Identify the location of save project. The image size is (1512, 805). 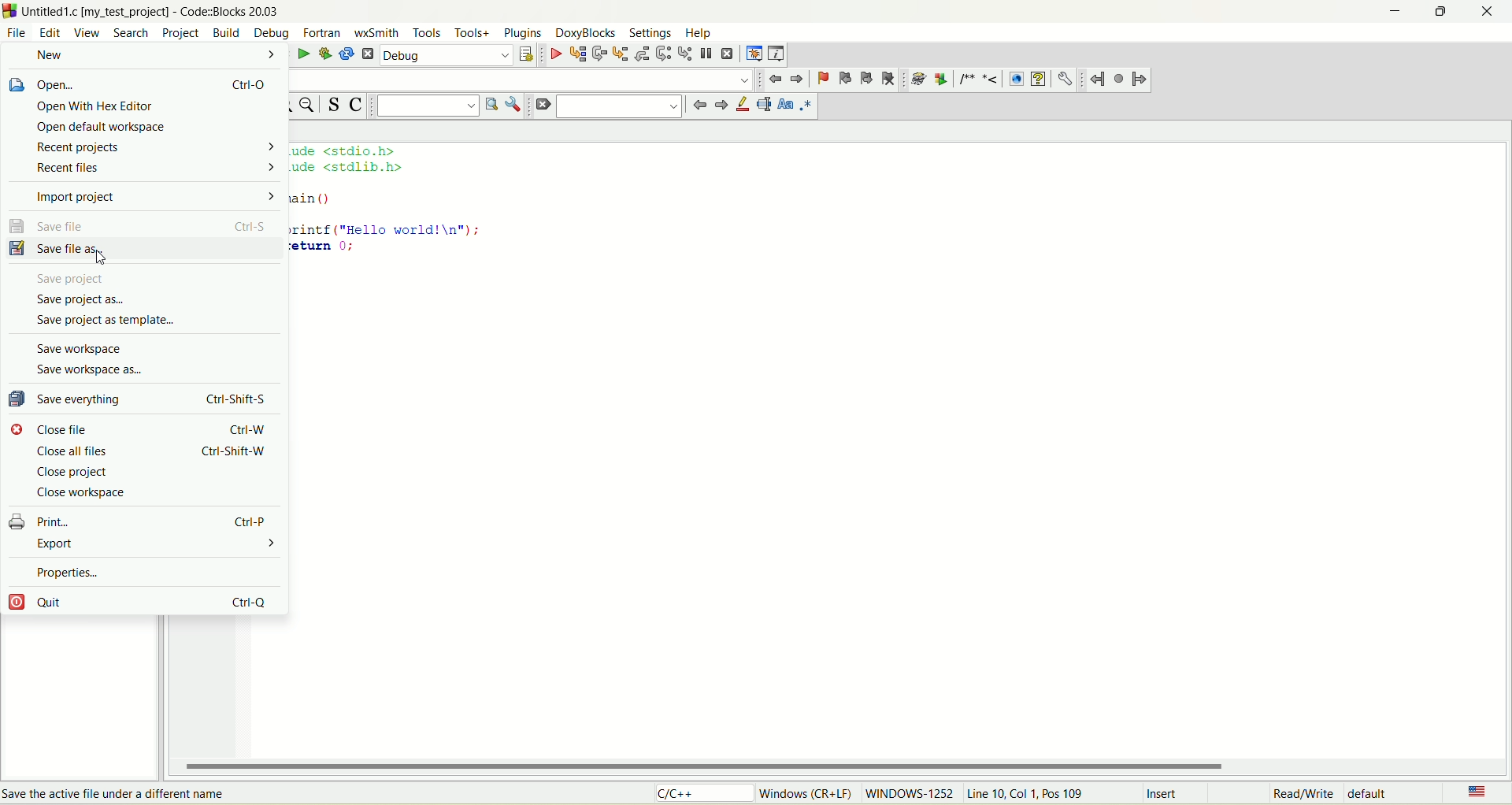
(78, 278).